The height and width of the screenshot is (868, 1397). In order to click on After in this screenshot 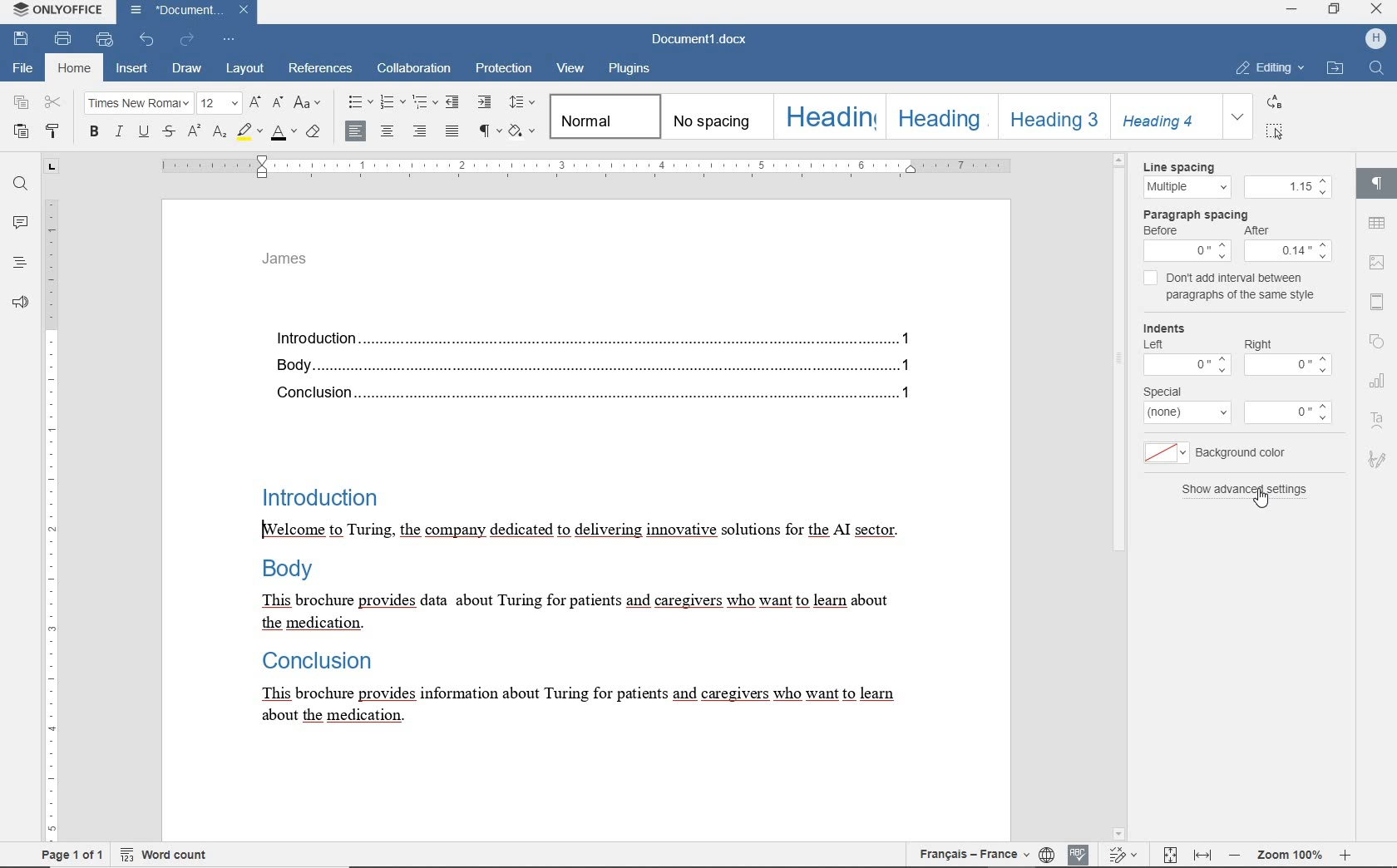, I will do `click(1266, 231)`.